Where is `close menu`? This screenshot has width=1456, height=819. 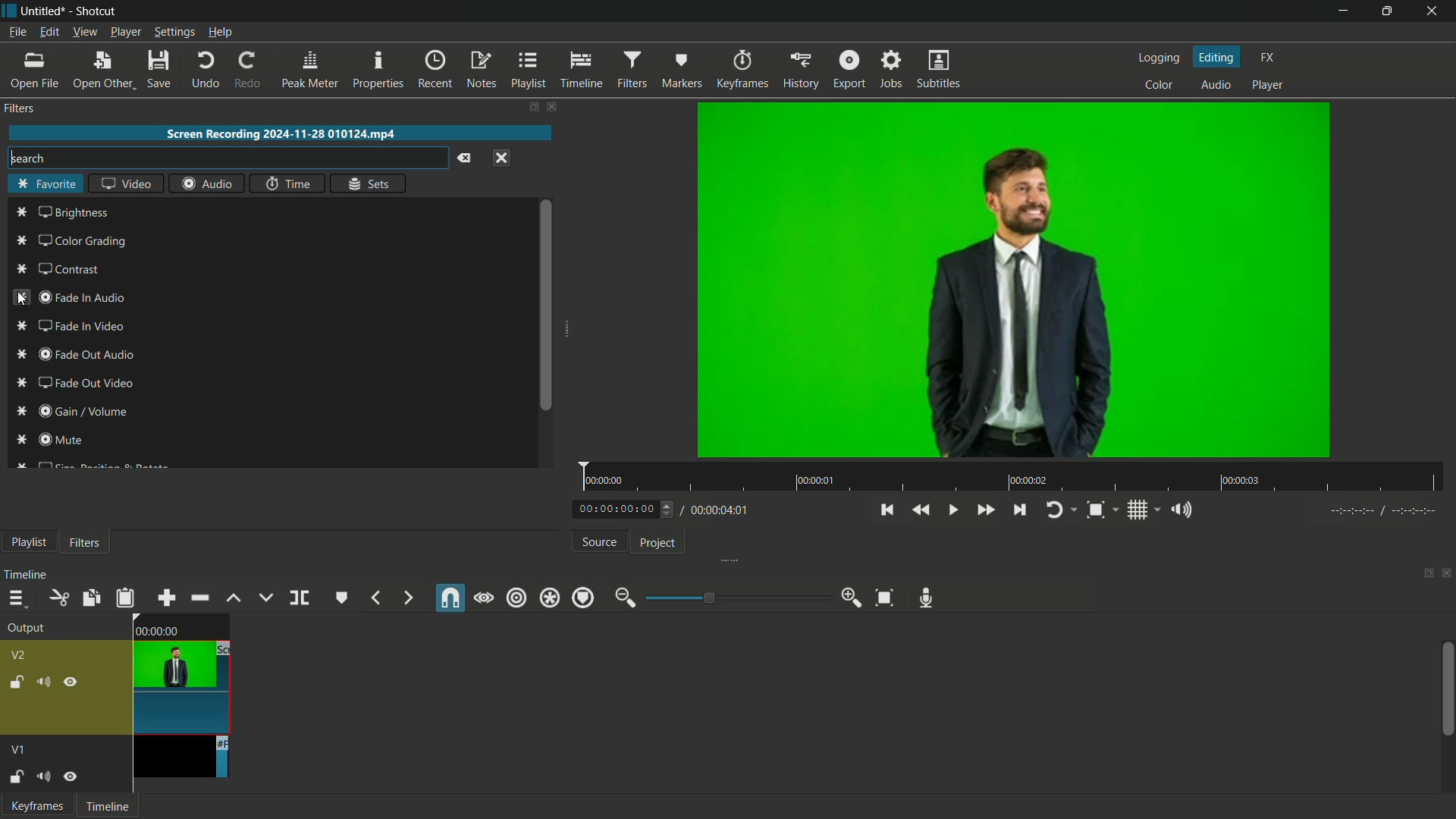 close menu is located at coordinates (501, 158).